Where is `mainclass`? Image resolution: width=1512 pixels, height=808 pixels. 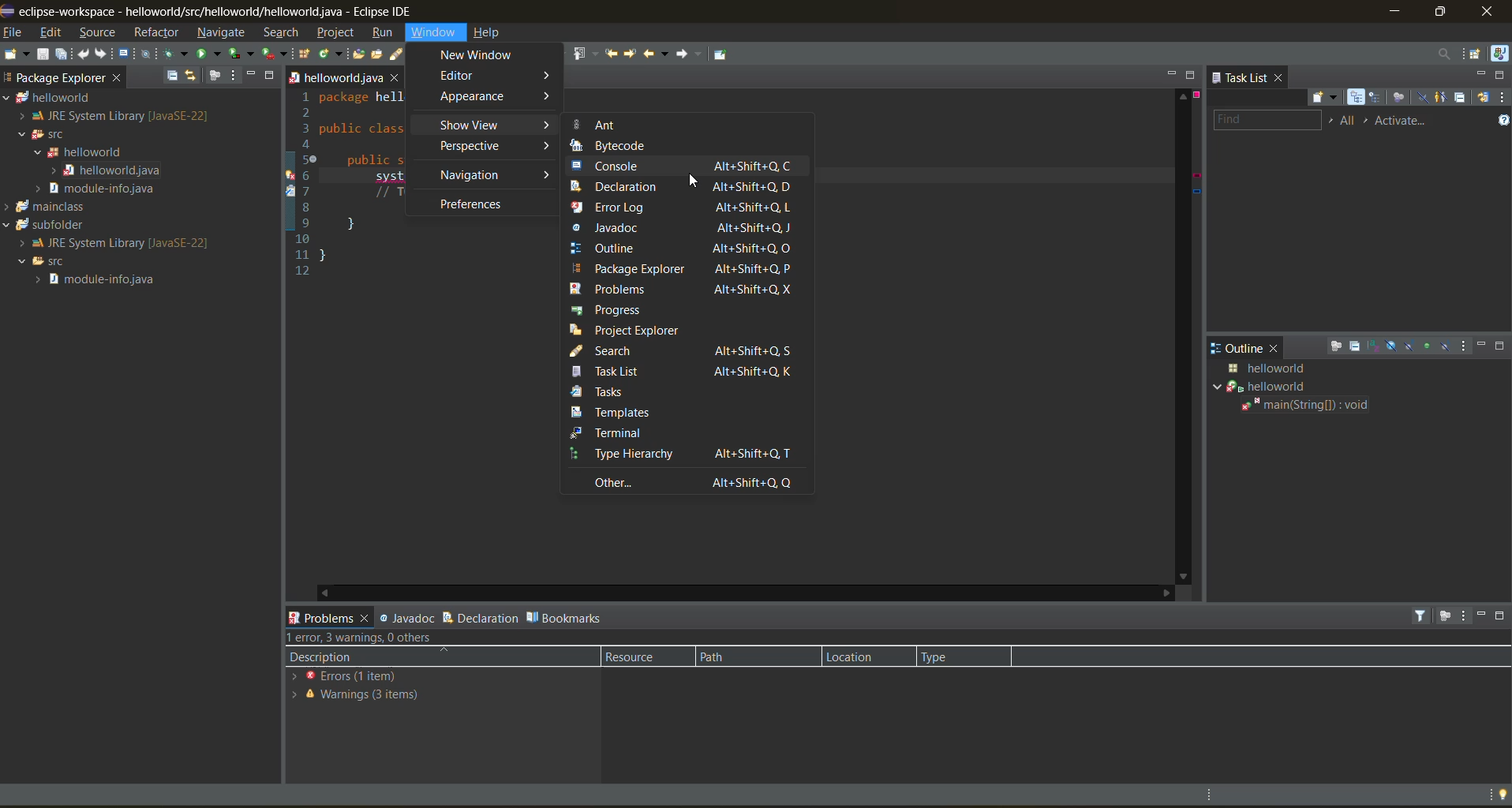 mainclass is located at coordinates (71, 208).